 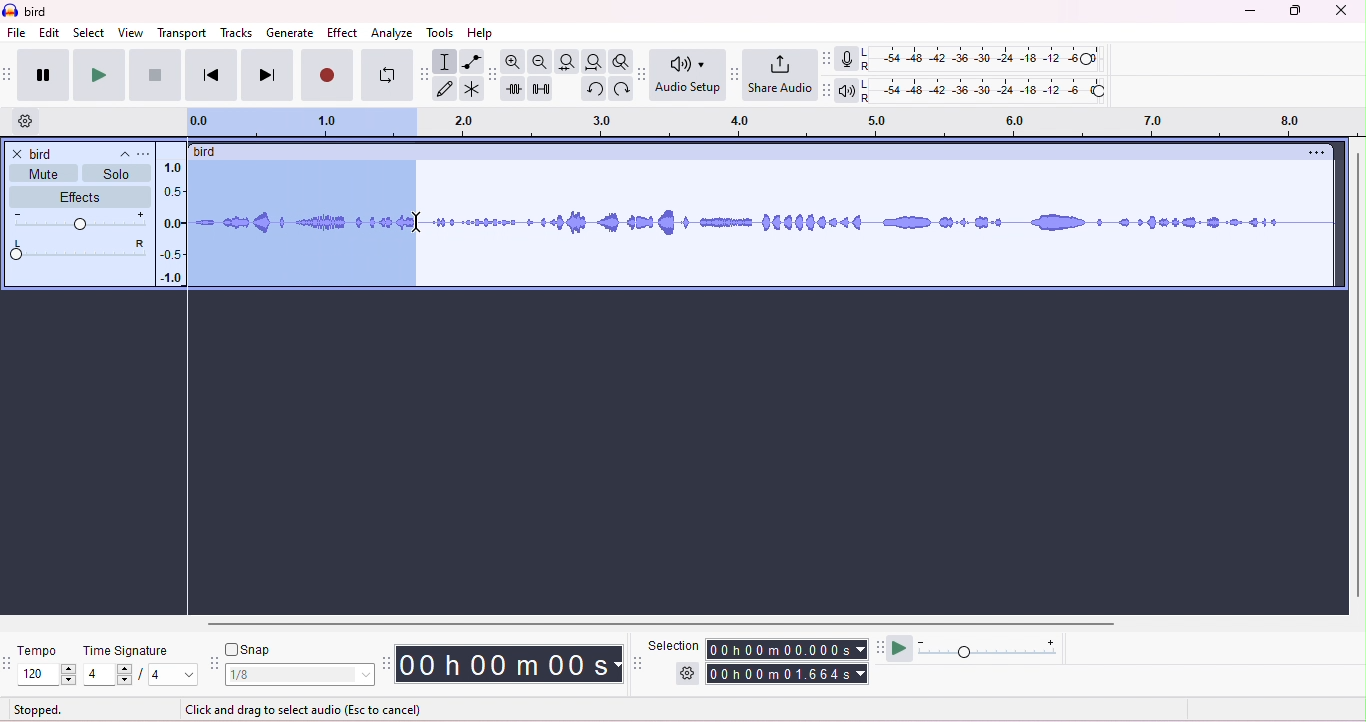 What do you see at coordinates (788, 648) in the screenshot?
I see `00h00m0.000s (start time) ` at bounding box center [788, 648].